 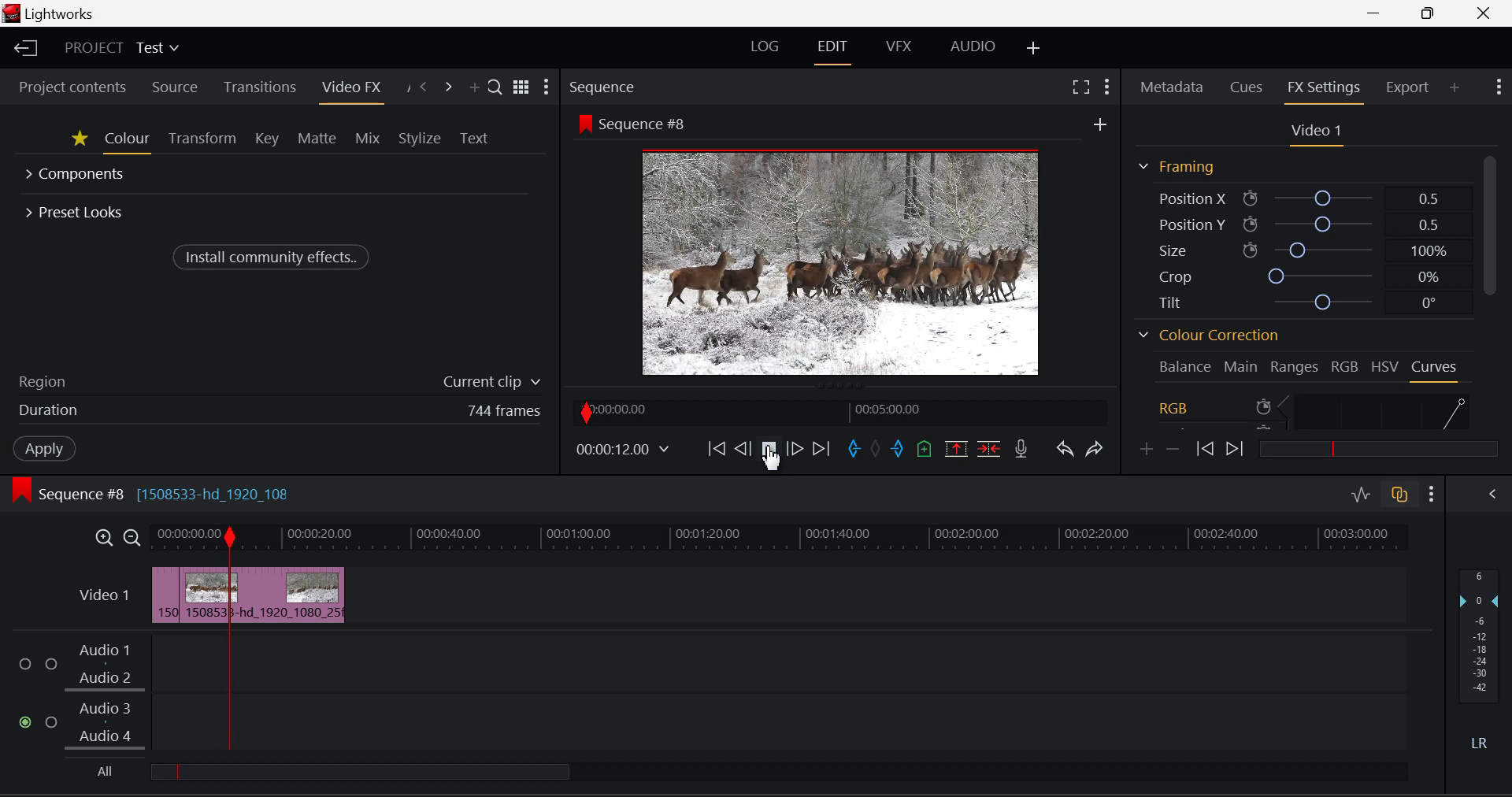 What do you see at coordinates (1433, 369) in the screenshot?
I see `Curves Tab Open` at bounding box center [1433, 369].